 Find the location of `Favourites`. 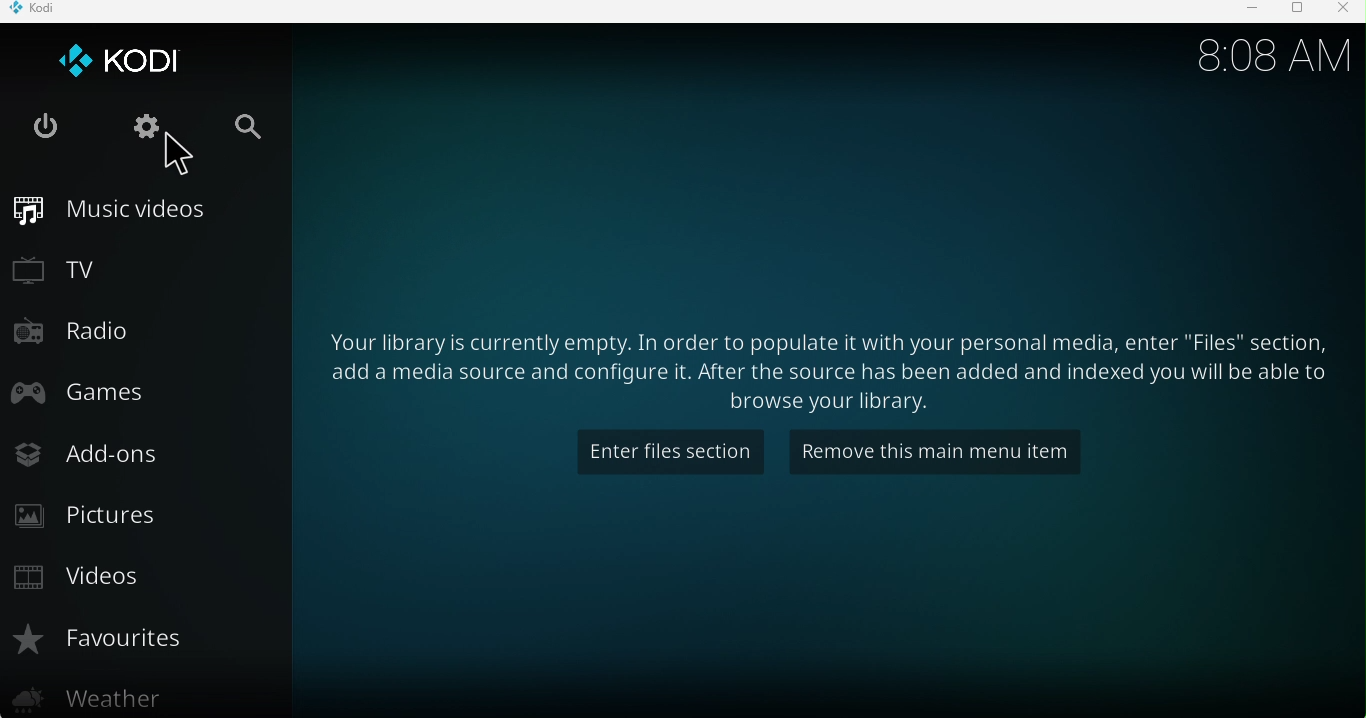

Favourites is located at coordinates (117, 639).